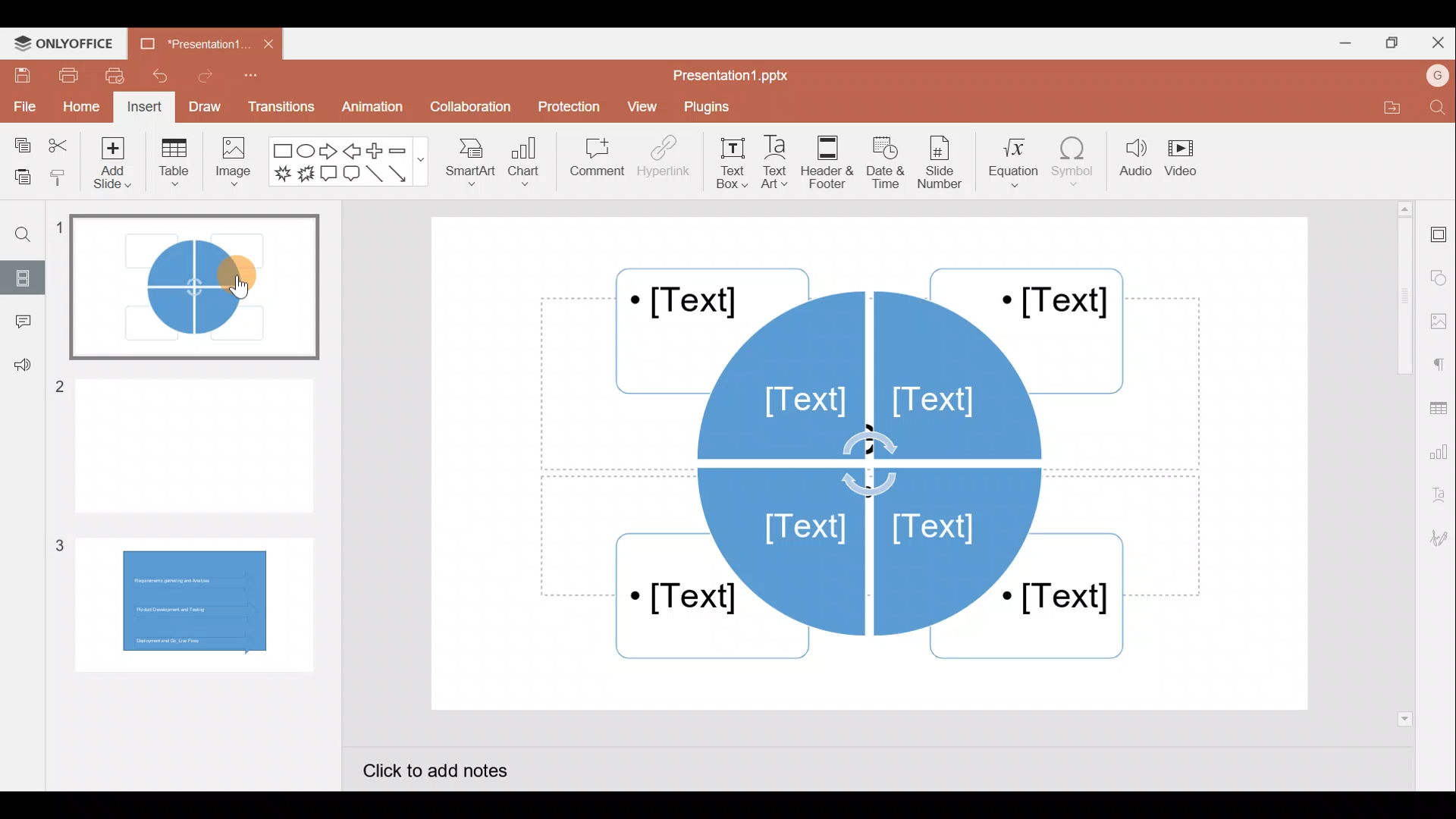  Describe the element at coordinates (1401, 462) in the screenshot. I see `Vertical scroll bar` at that location.